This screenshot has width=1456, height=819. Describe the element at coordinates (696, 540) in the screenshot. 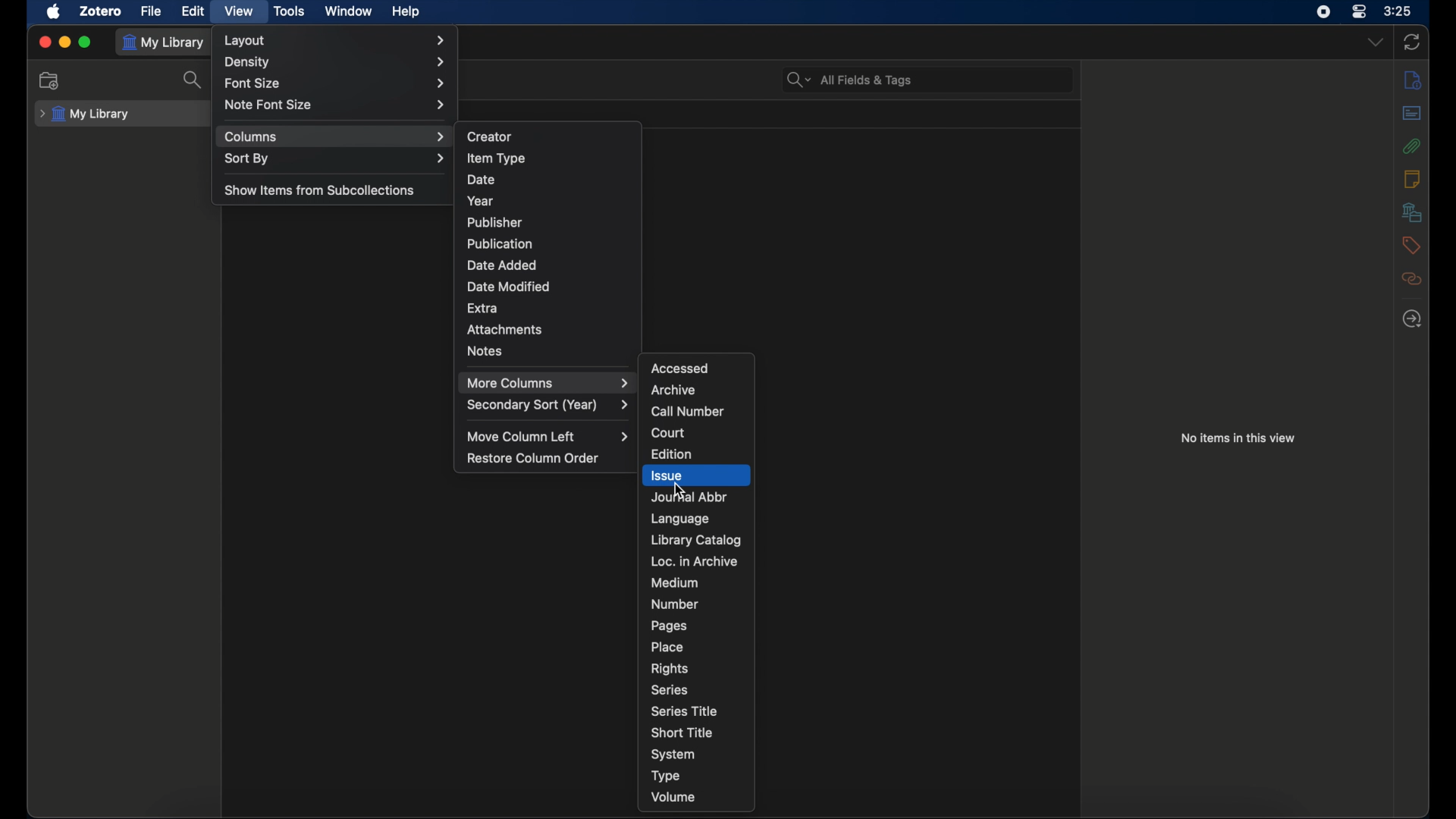

I see `library catalog` at that location.